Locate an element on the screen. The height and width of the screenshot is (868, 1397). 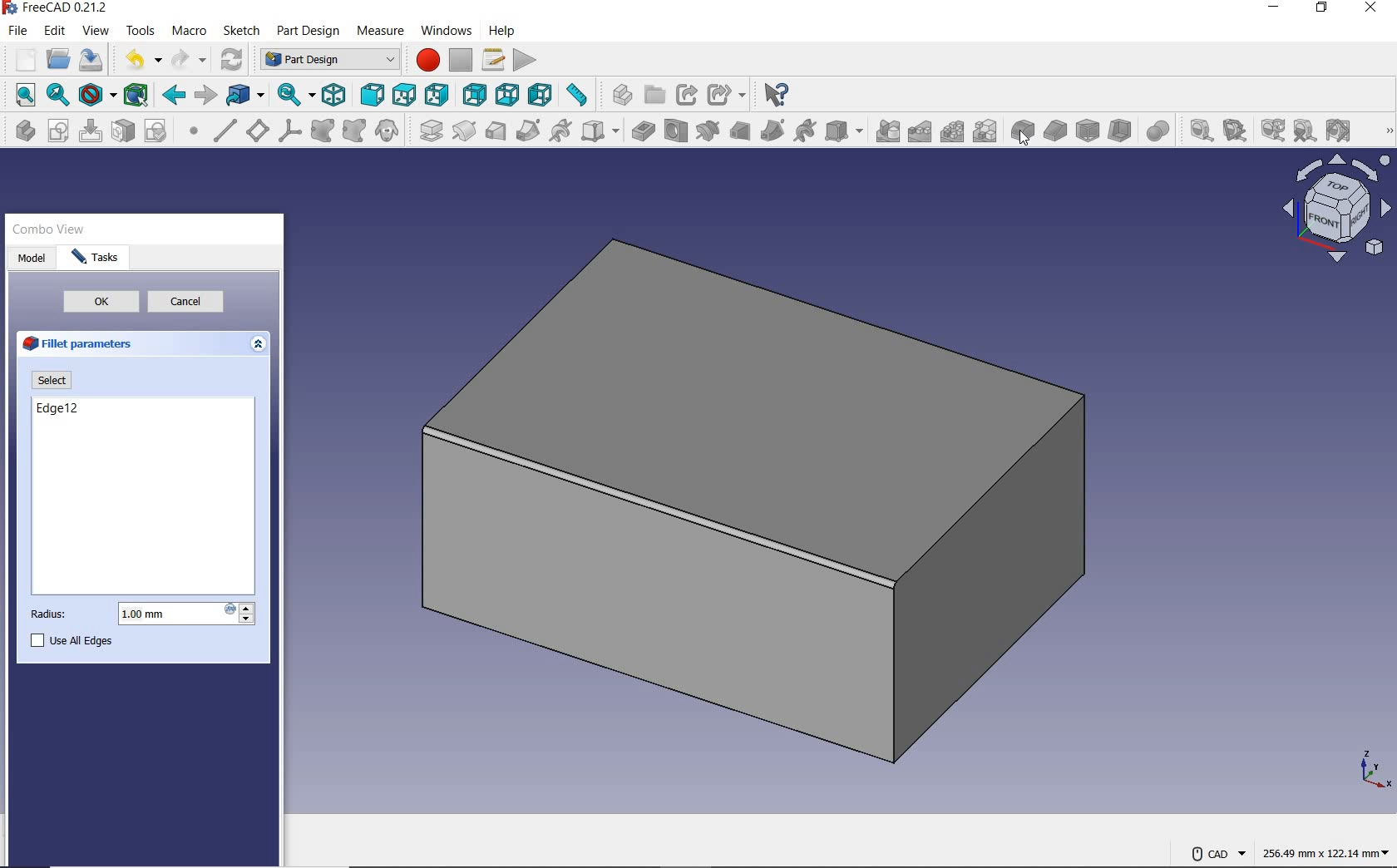
create part is located at coordinates (618, 94).